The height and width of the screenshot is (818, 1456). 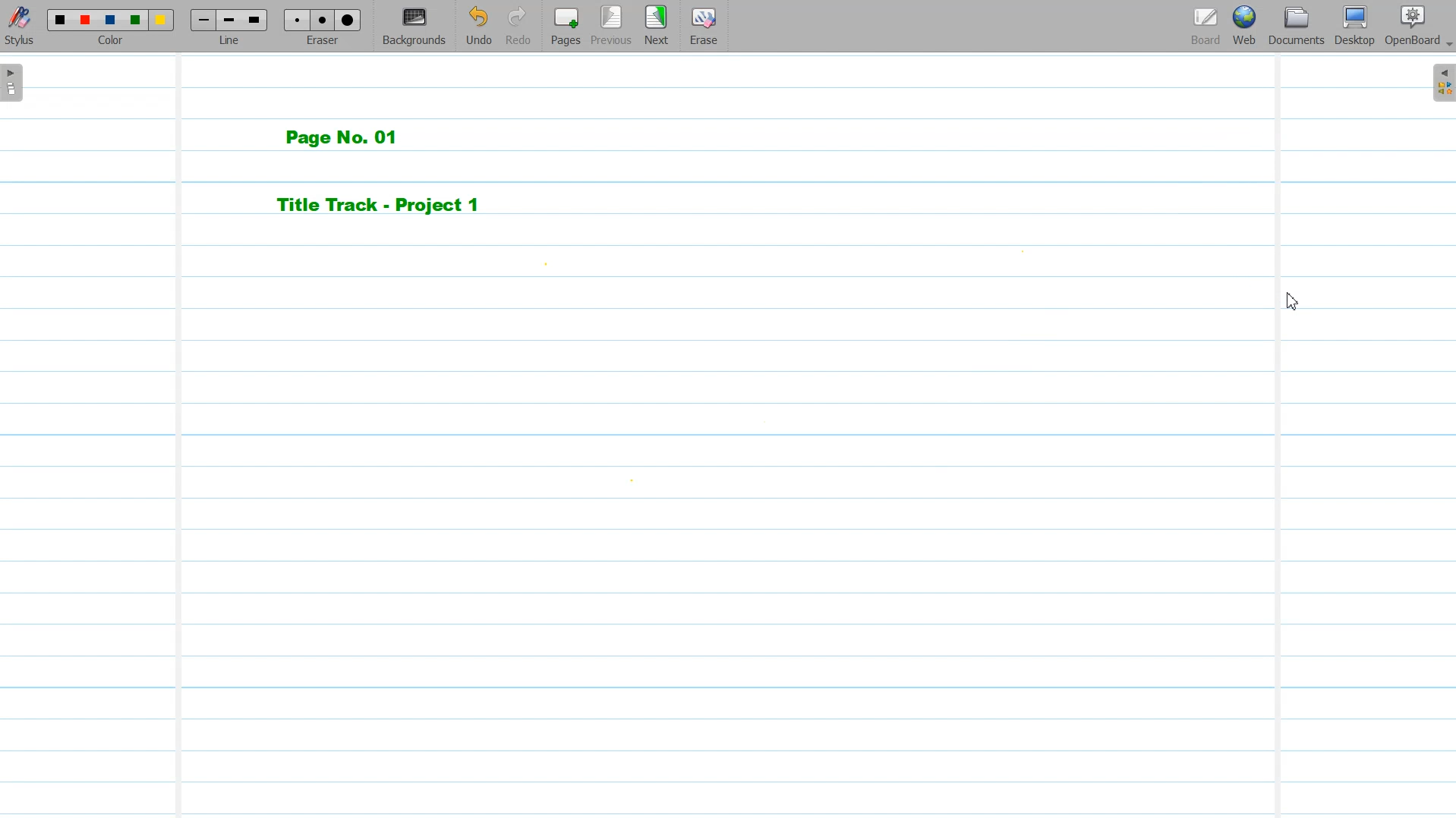 What do you see at coordinates (112, 26) in the screenshot?
I see `Color` at bounding box center [112, 26].